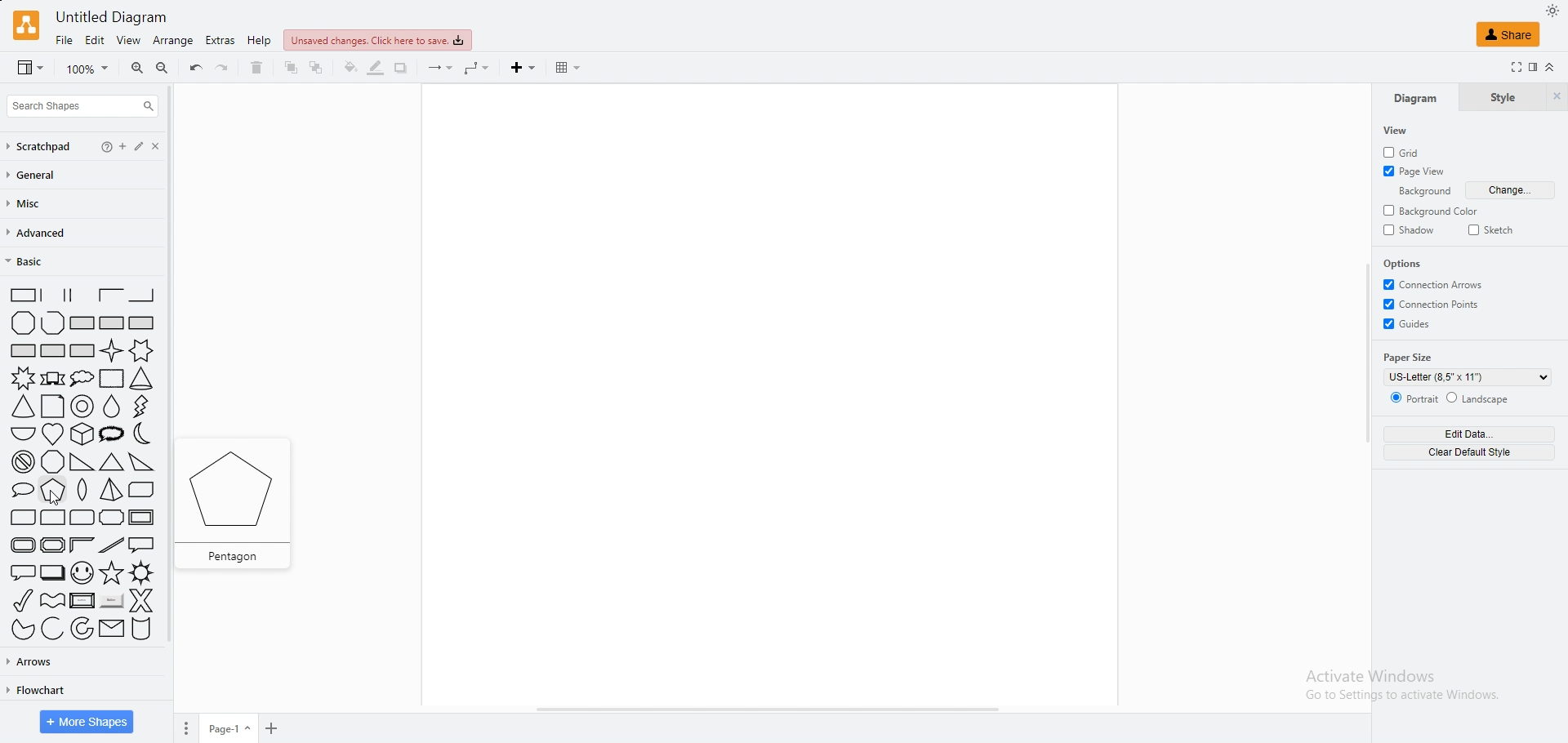  I want to click on pentagon preview, so click(243, 503).